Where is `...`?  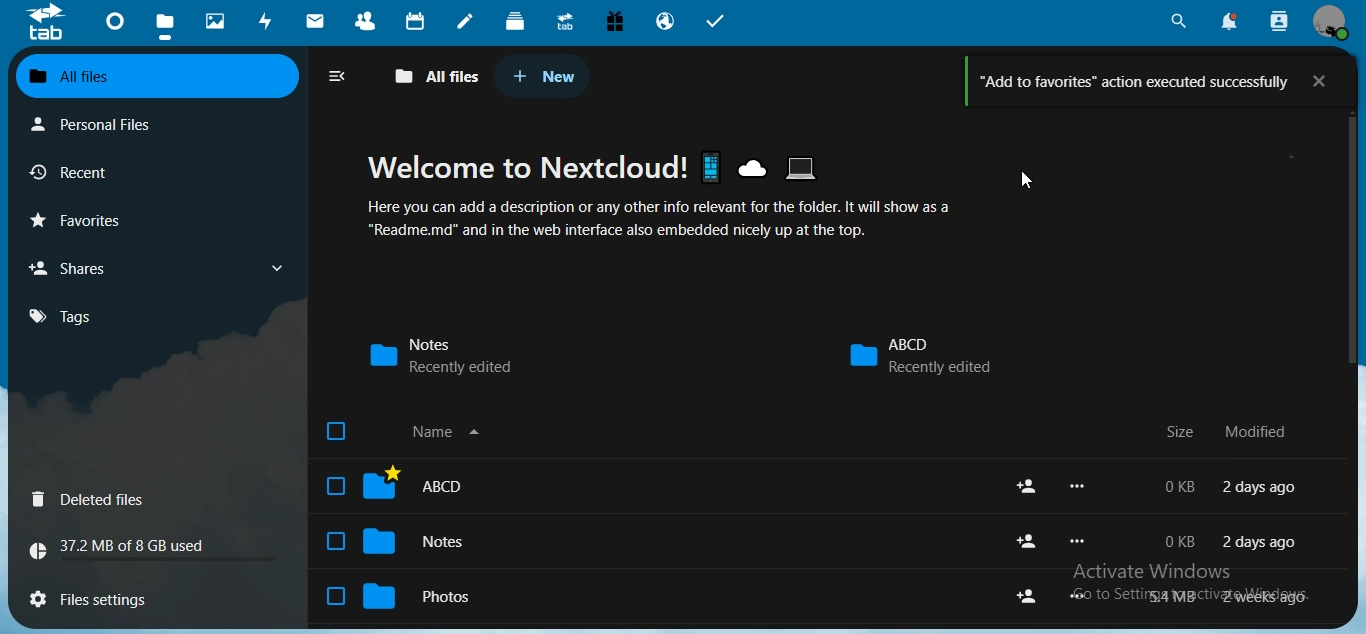
... is located at coordinates (1077, 487).